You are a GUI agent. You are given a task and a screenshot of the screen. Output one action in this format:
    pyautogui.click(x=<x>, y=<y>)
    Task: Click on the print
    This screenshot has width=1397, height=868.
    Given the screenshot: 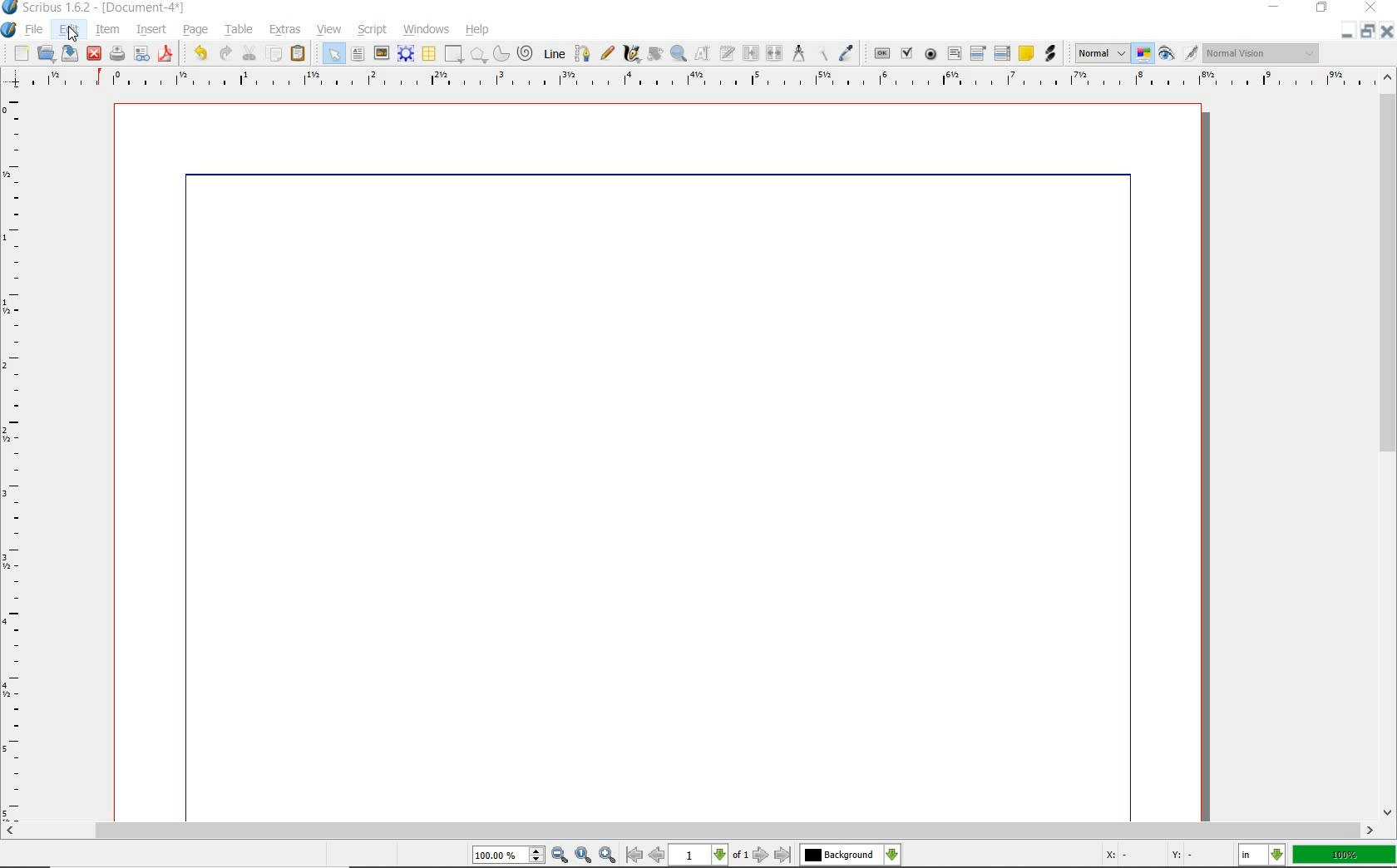 What is the action you would take?
    pyautogui.click(x=117, y=53)
    